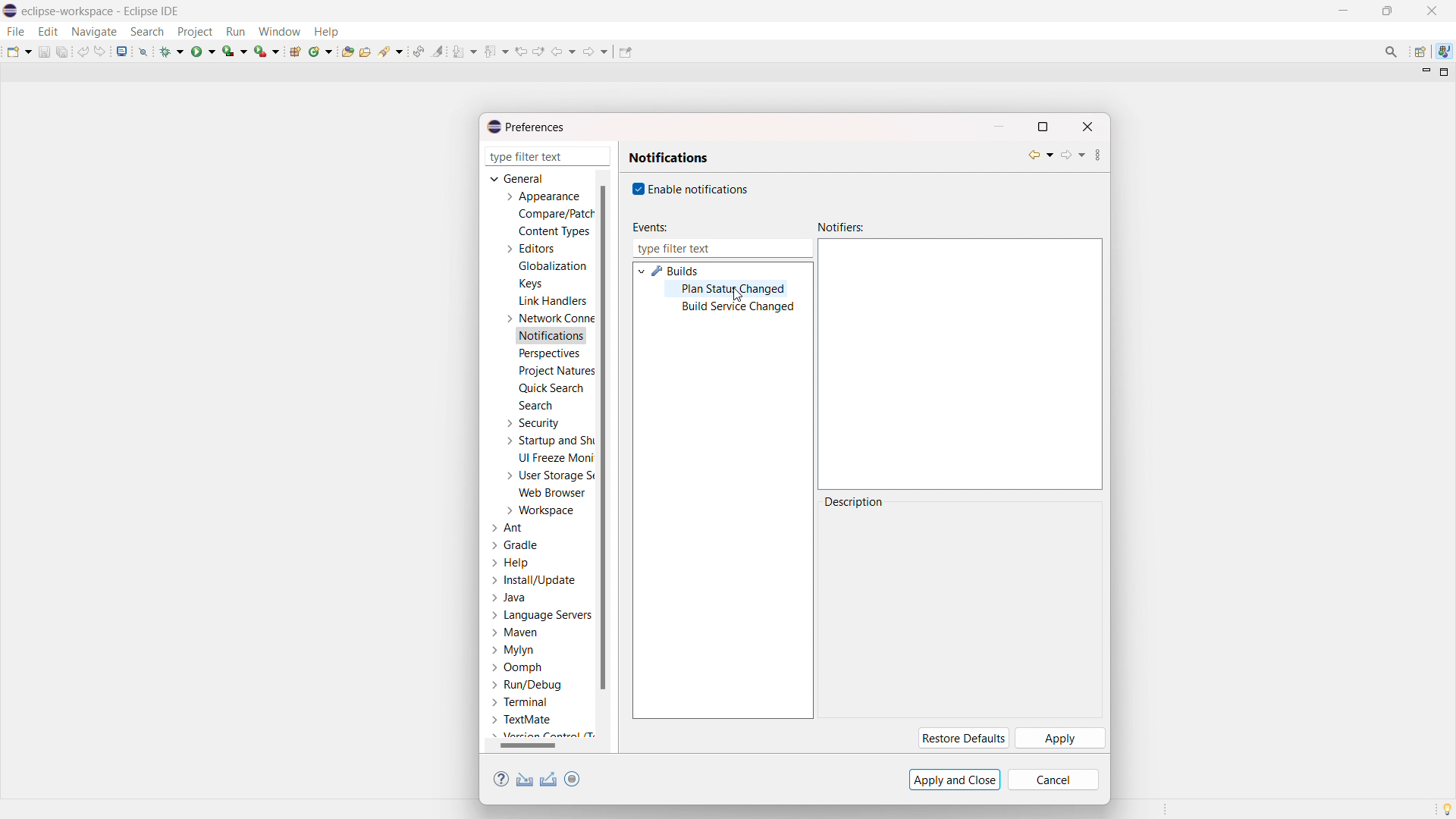 The height and width of the screenshot is (819, 1456). What do you see at coordinates (1042, 127) in the screenshot?
I see `maximize dialogbox` at bounding box center [1042, 127].